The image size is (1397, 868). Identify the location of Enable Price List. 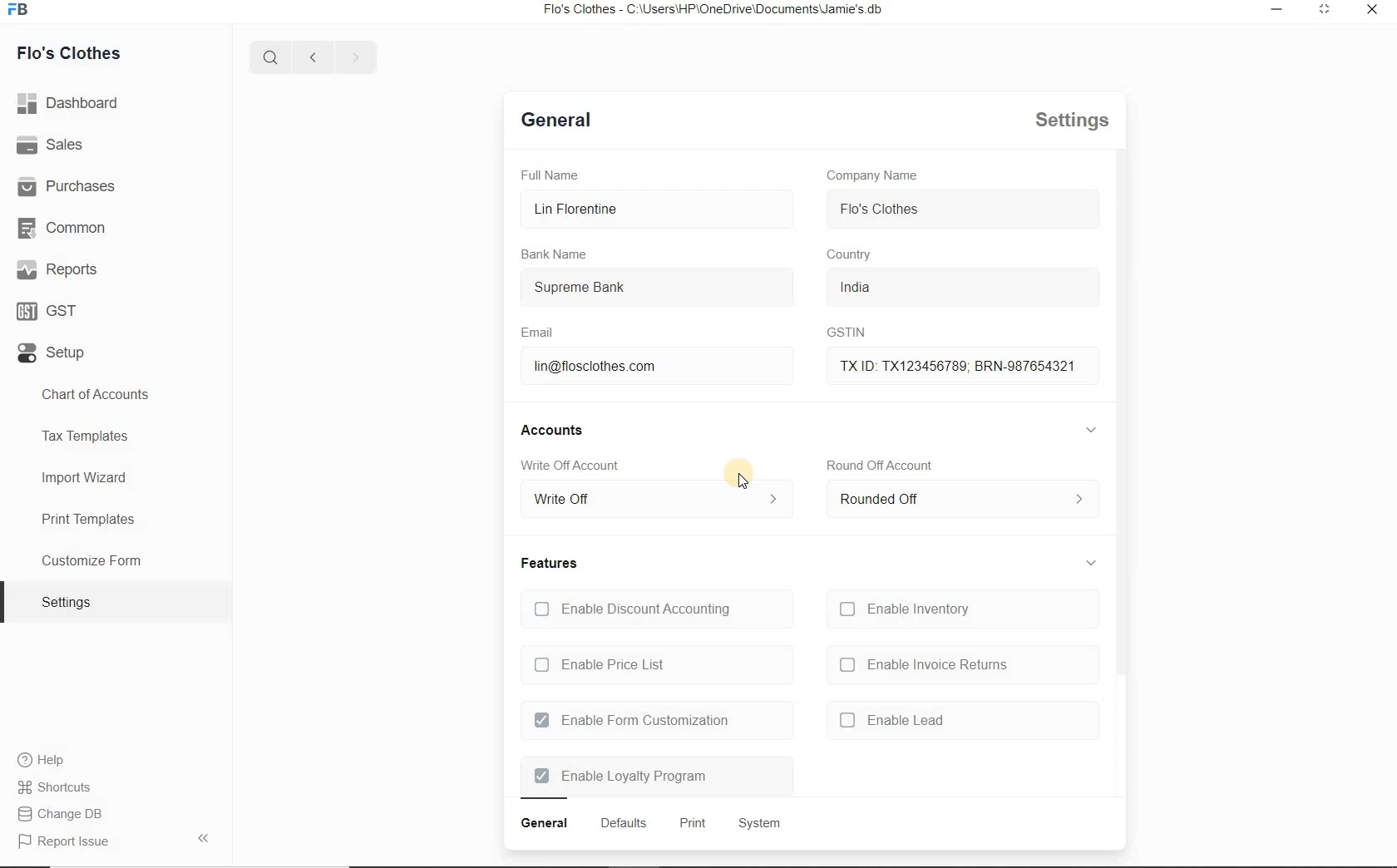
(654, 665).